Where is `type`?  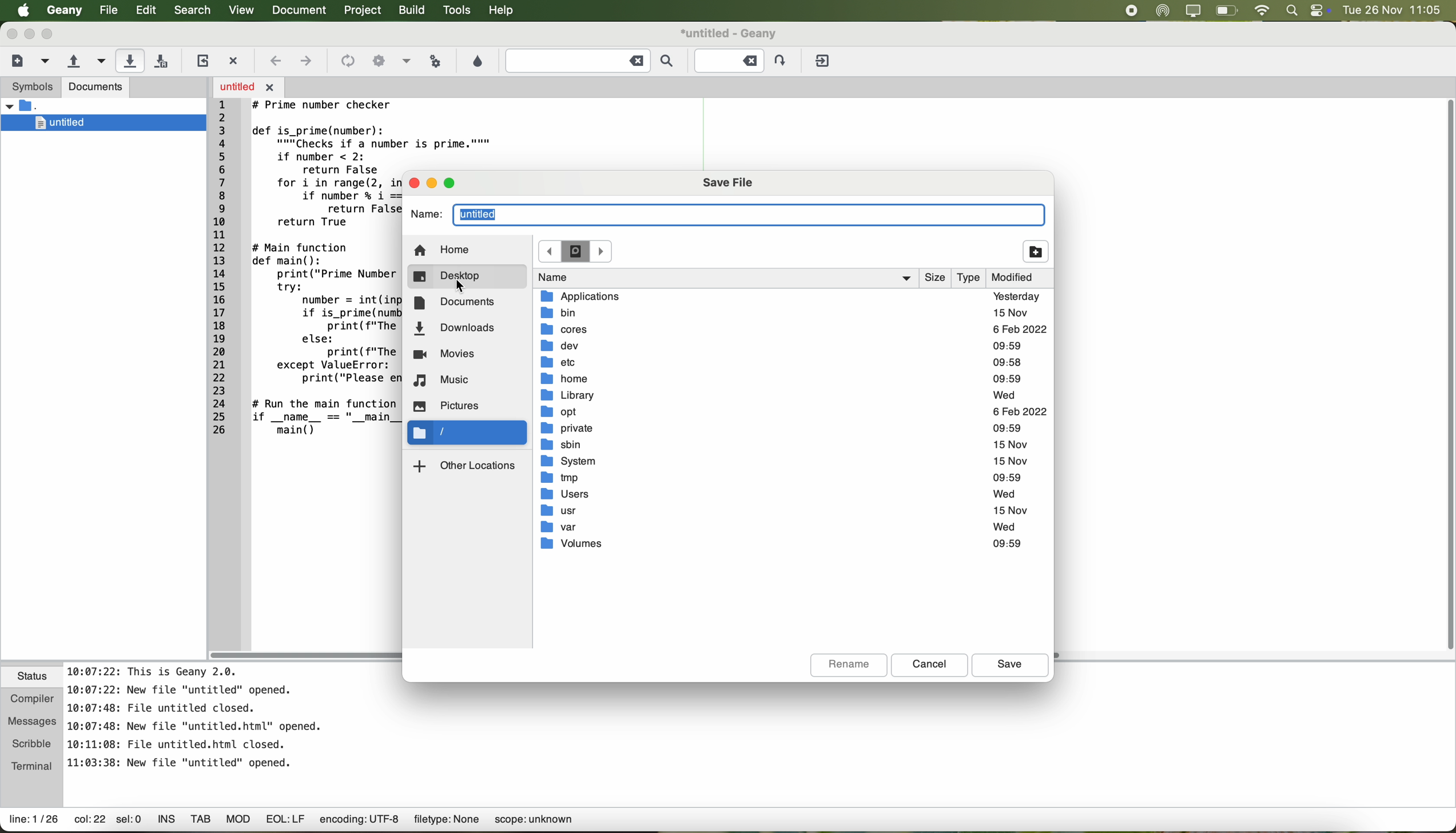
type is located at coordinates (972, 278).